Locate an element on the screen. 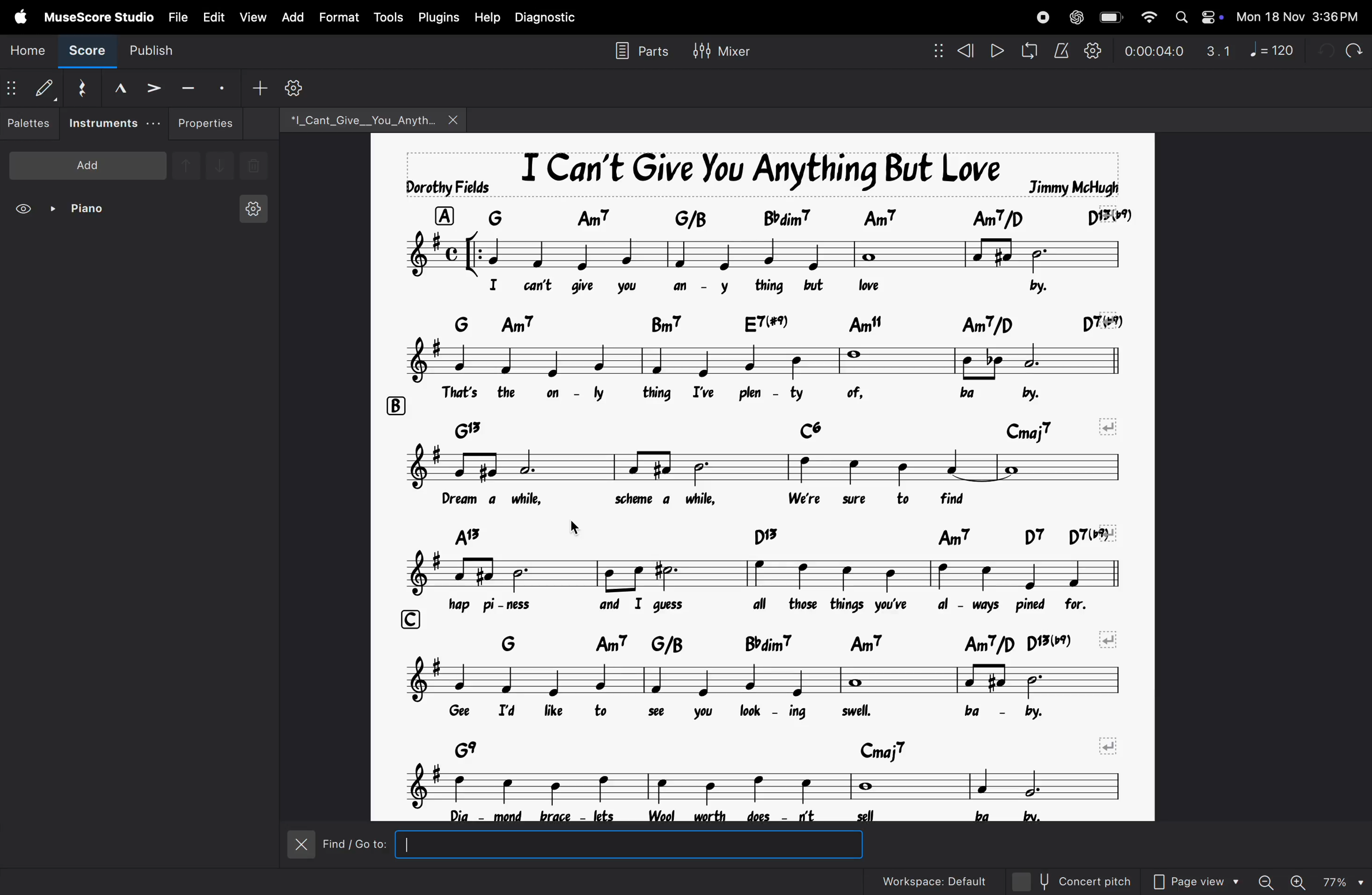 The image size is (1372, 895). chord symbol is located at coordinates (813, 216).